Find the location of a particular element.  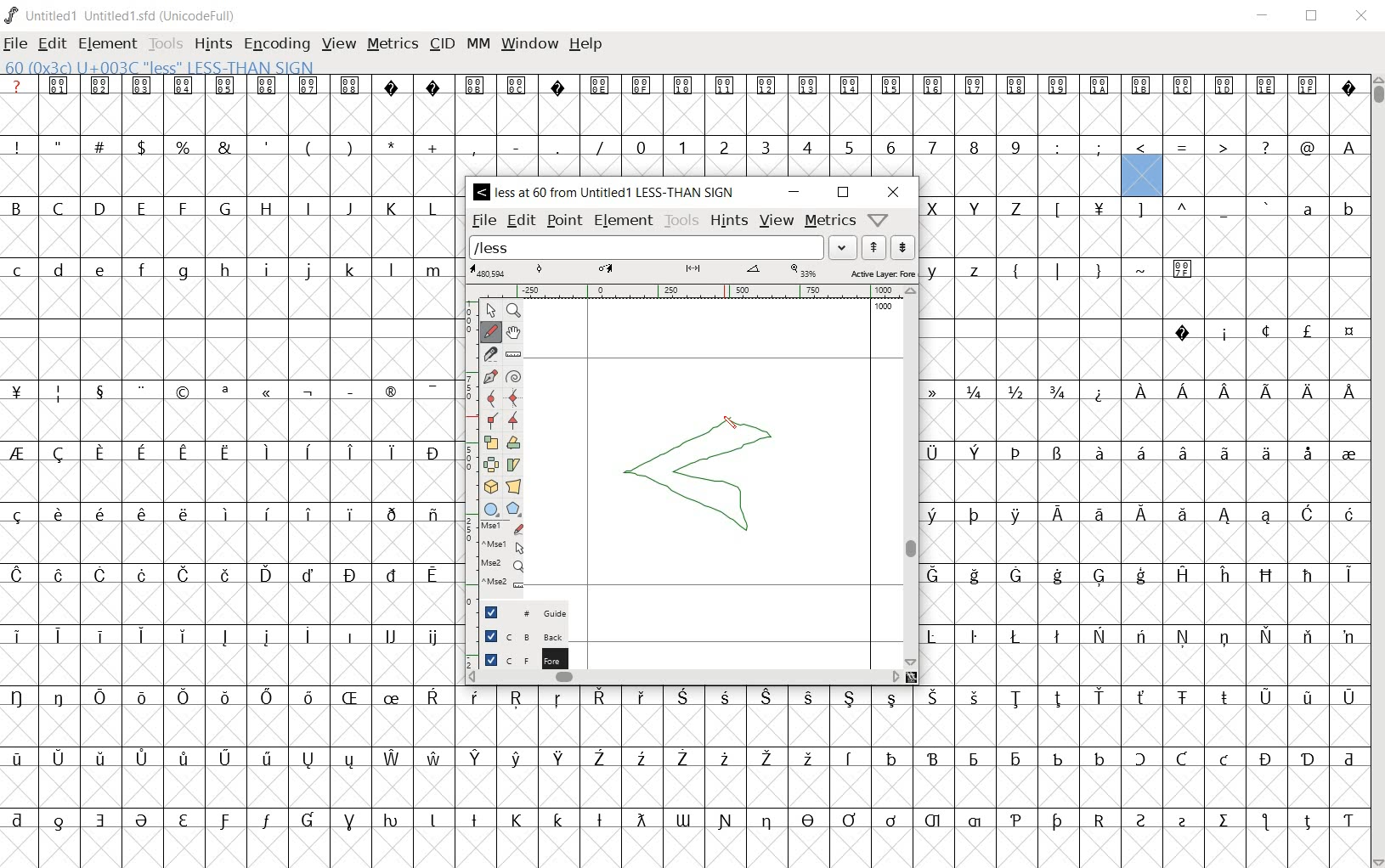

empty cells is located at coordinates (682, 846).